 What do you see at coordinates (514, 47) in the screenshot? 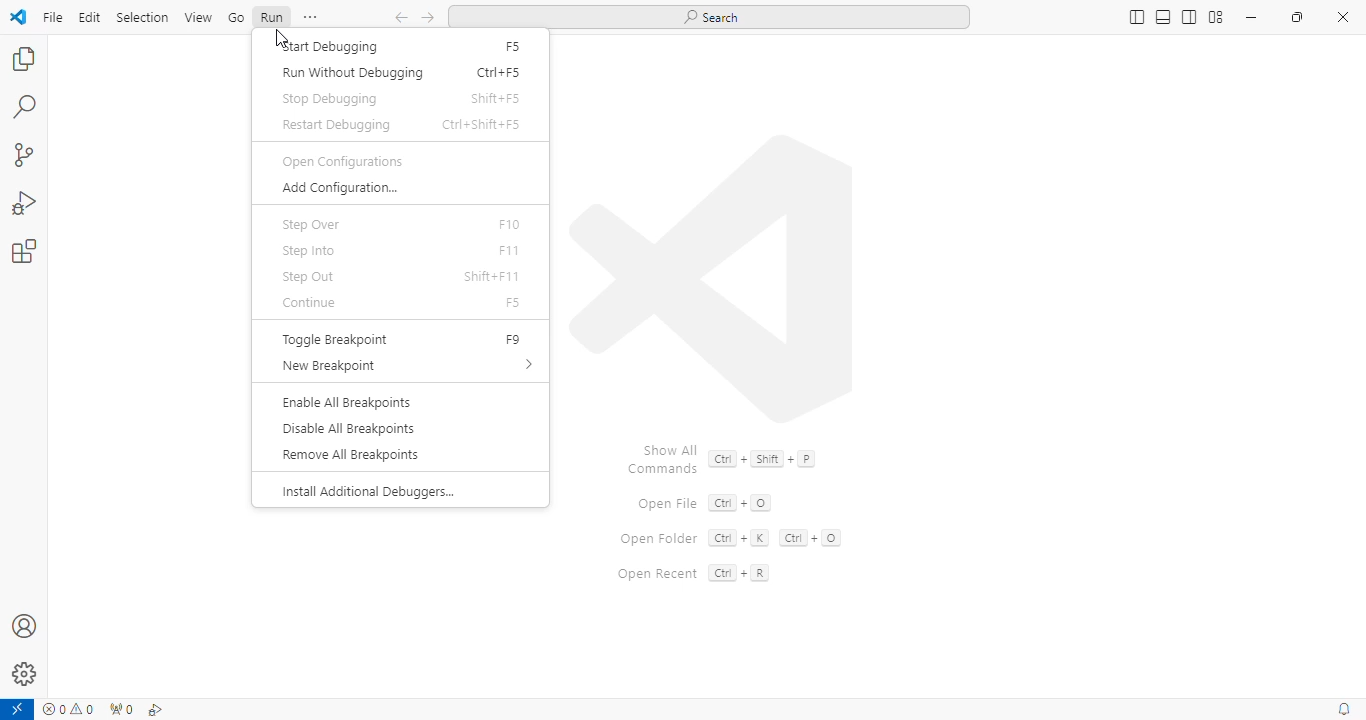
I see `f5` at bounding box center [514, 47].